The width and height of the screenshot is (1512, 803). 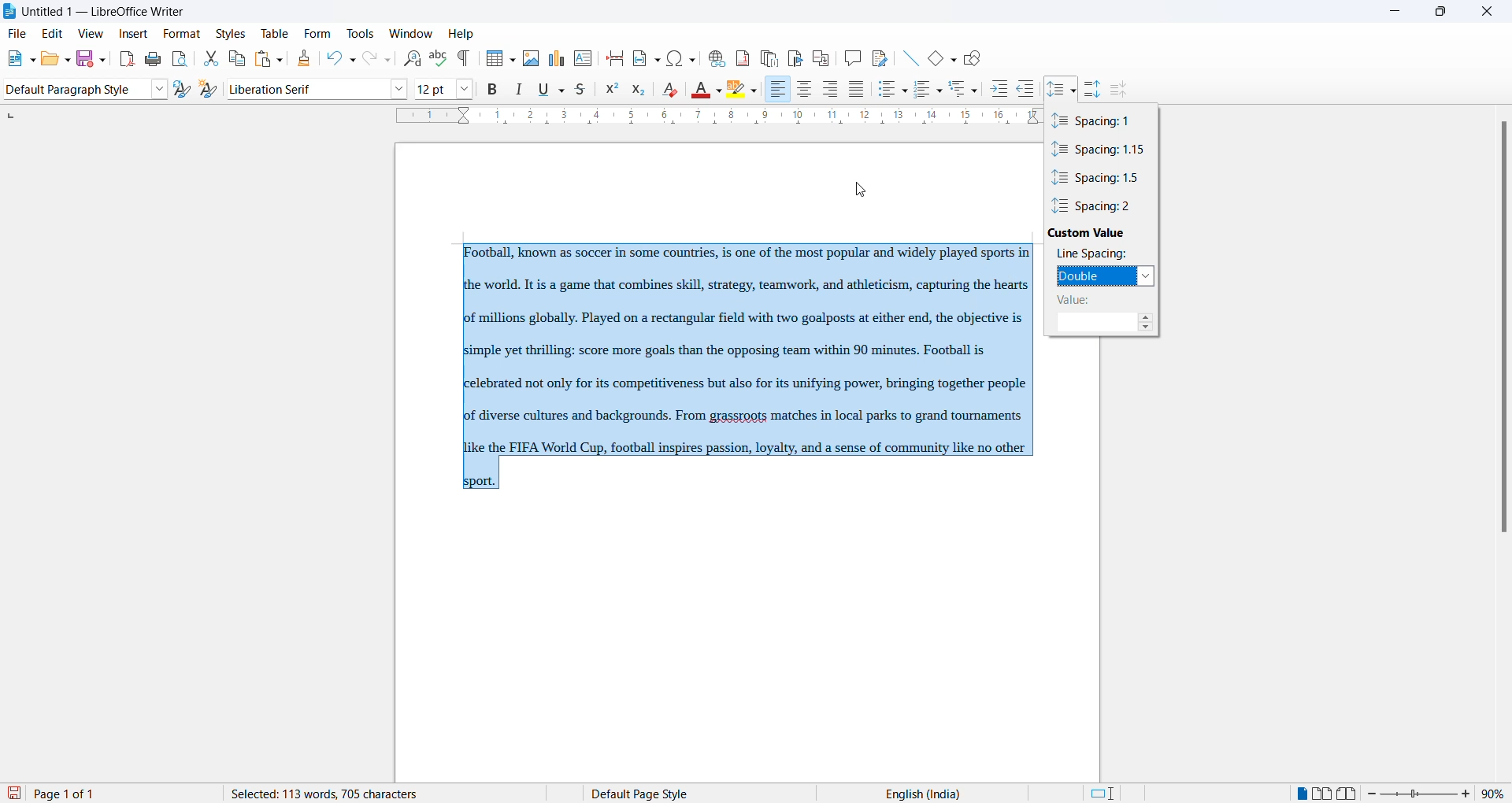 I want to click on basic shapes options, so click(x=951, y=60).